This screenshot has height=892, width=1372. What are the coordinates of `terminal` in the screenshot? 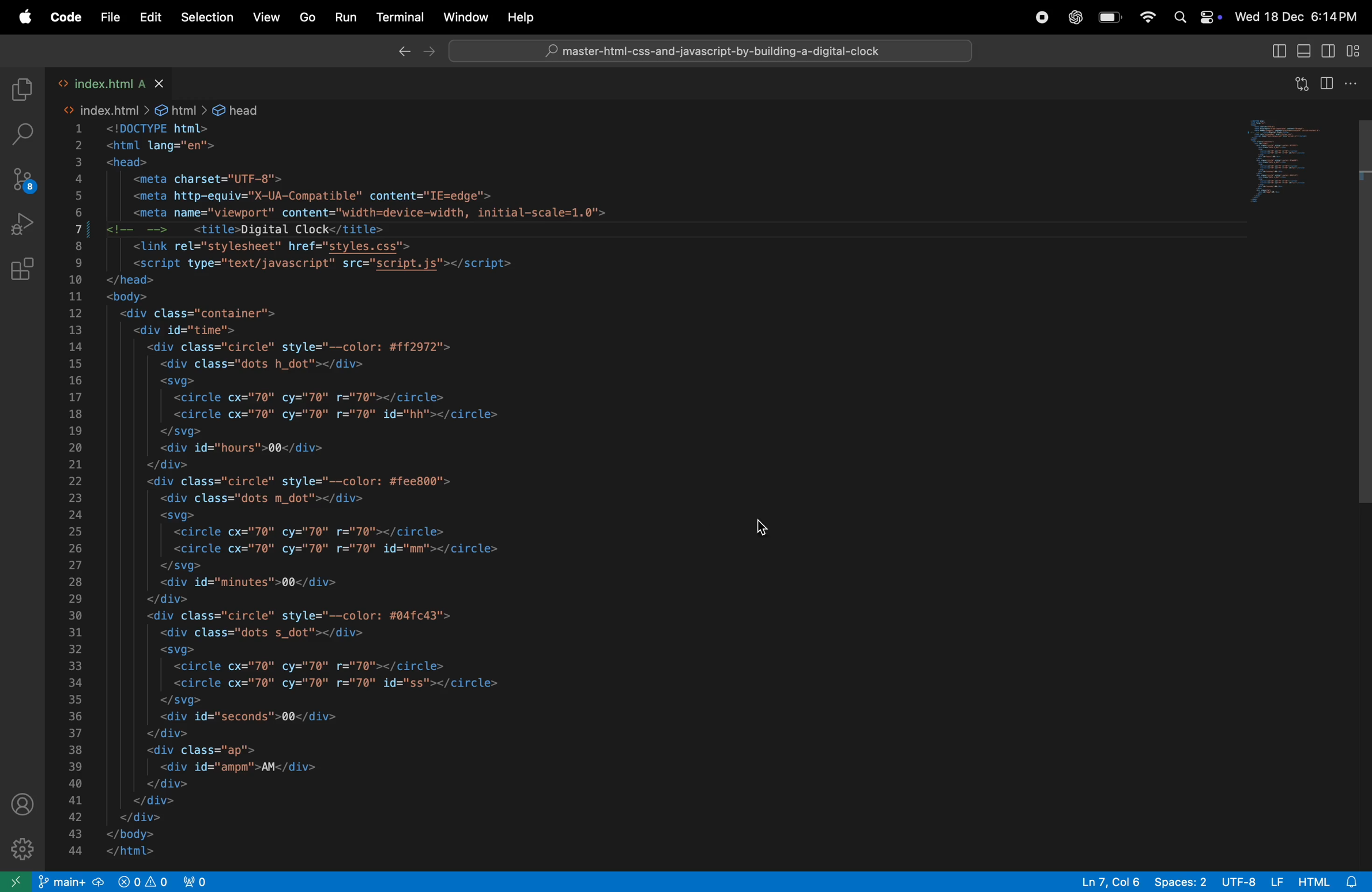 It's located at (401, 18).